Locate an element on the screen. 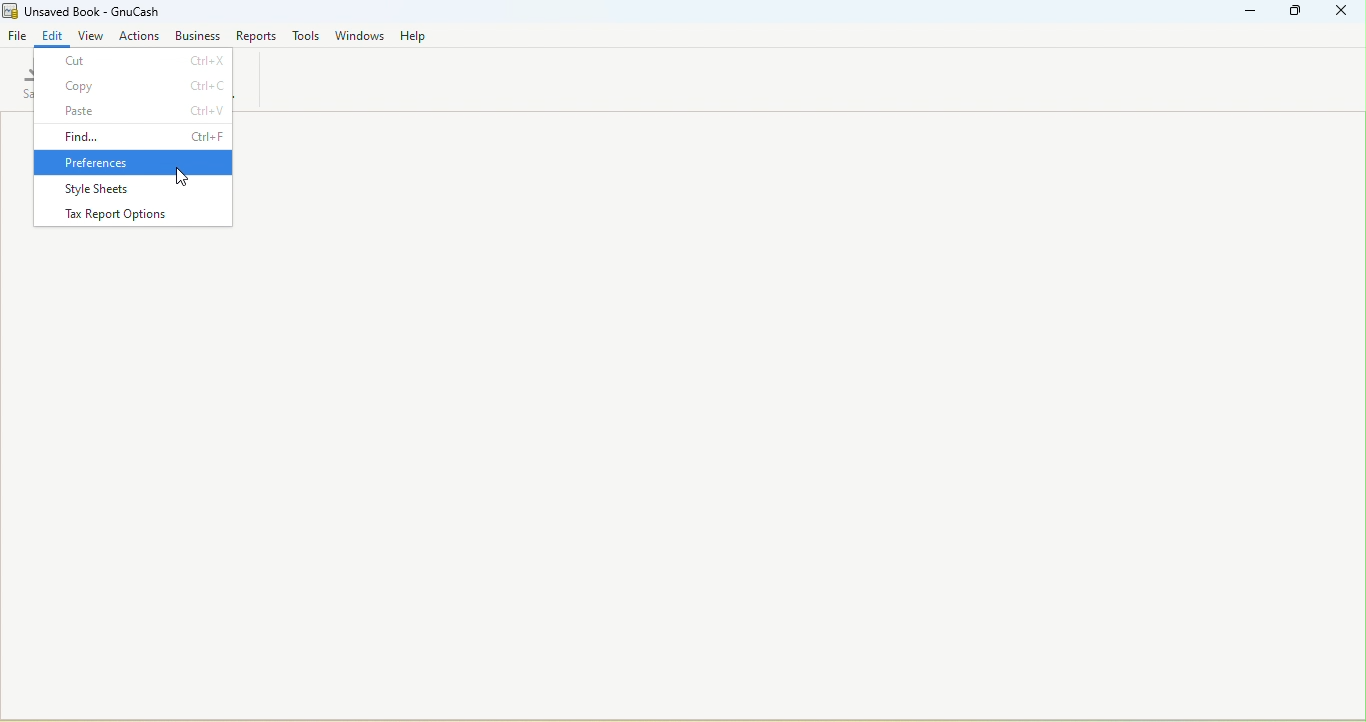 This screenshot has width=1366, height=722. Maximize is located at coordinates (1297, 14).